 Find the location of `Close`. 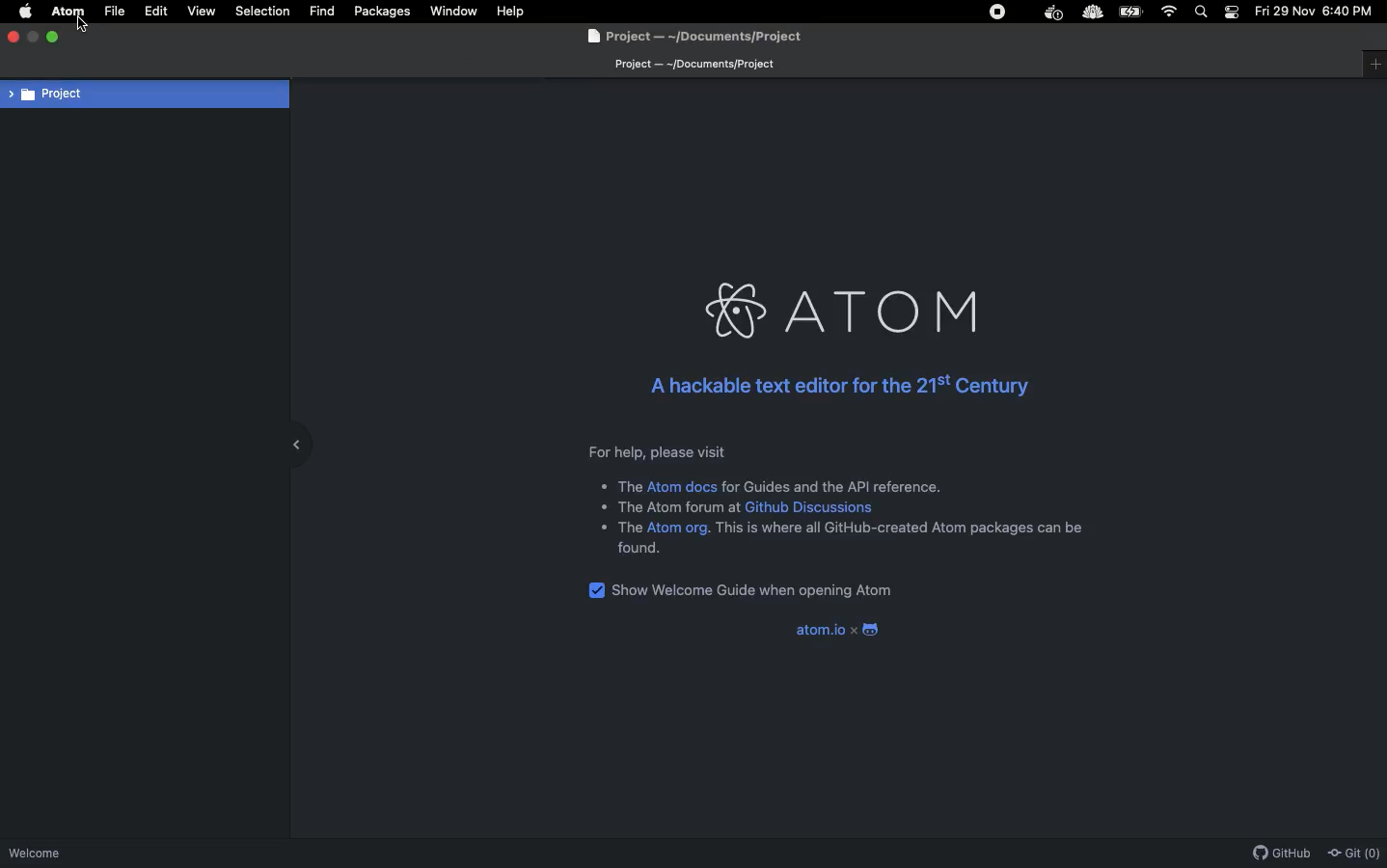

Close is located at coordinates (15, 36).